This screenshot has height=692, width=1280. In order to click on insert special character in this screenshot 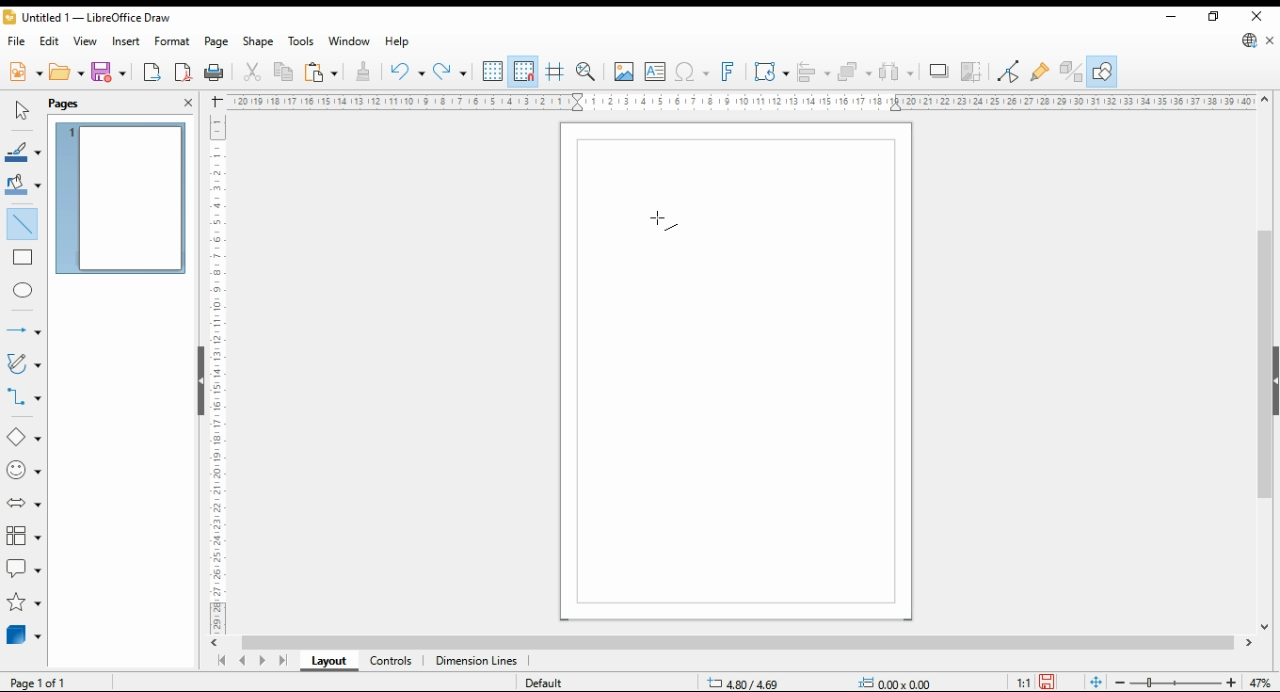, I will do `click(690, 72)`.